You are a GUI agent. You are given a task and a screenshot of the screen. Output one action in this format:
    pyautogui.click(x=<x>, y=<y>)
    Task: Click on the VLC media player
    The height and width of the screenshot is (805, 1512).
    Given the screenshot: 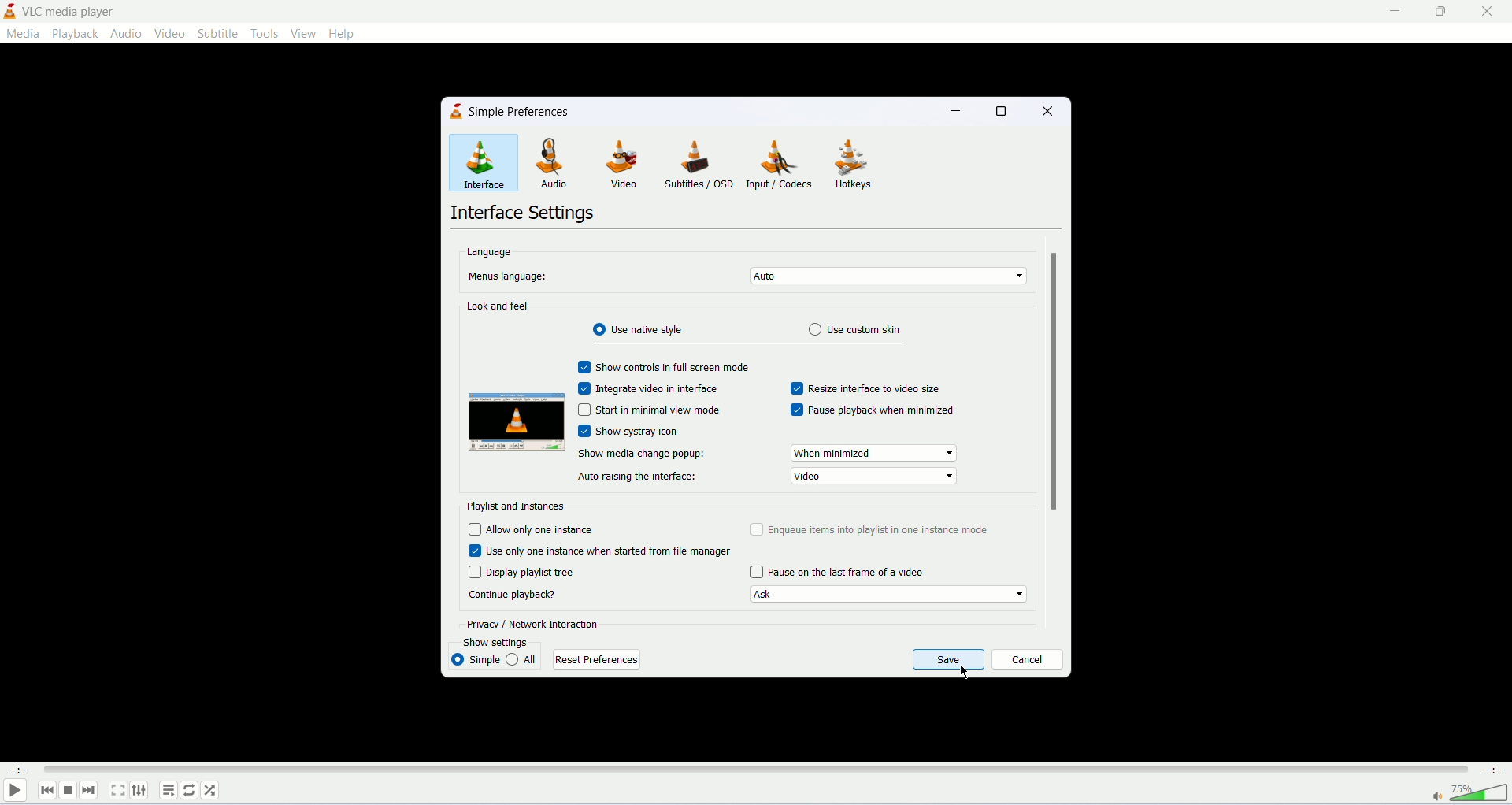 What is the action you would take?
    pyautogui.click(x=70, y=12)
    